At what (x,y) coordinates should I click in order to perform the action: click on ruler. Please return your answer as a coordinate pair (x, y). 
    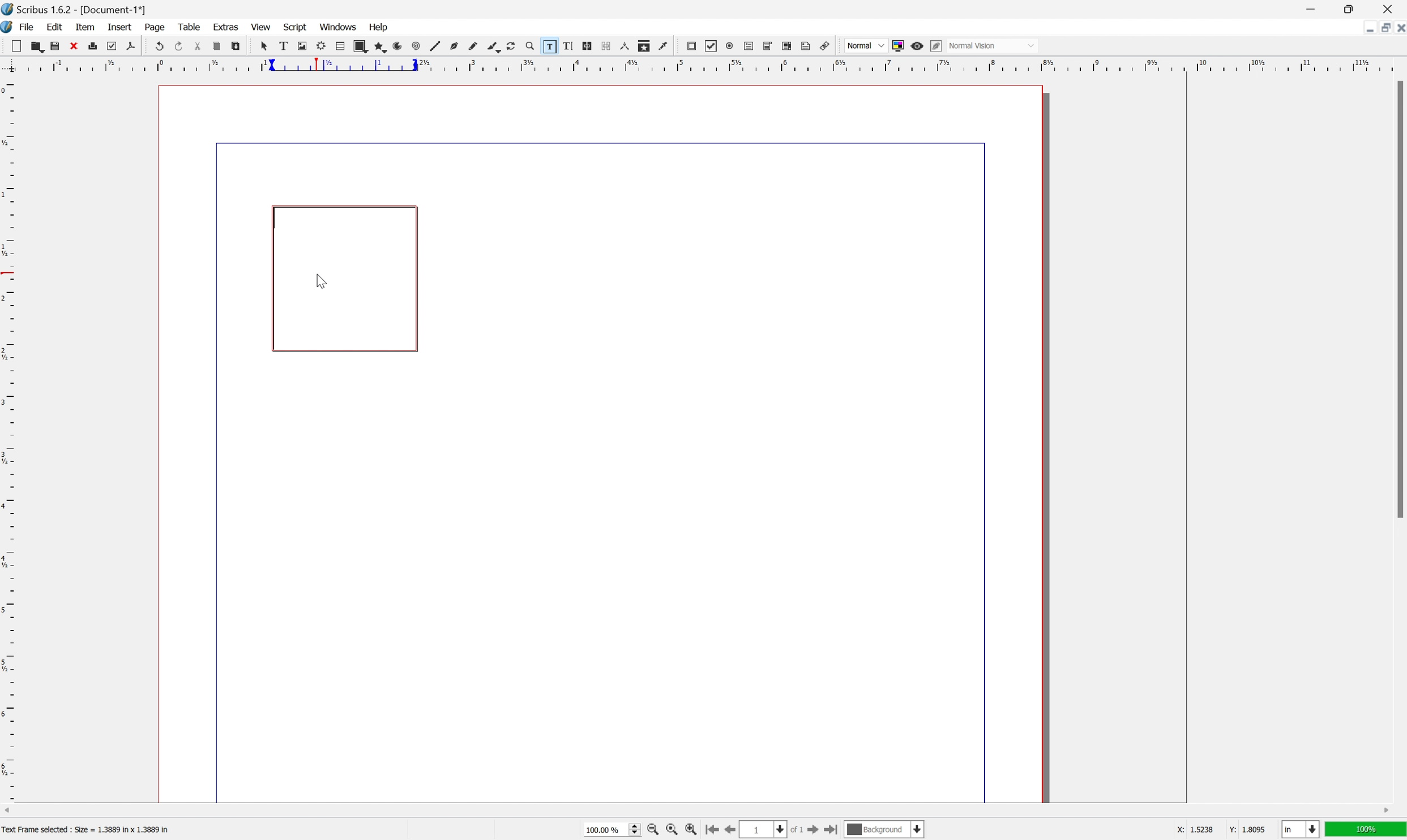
    Looking at the image, I should click on (9, 438).